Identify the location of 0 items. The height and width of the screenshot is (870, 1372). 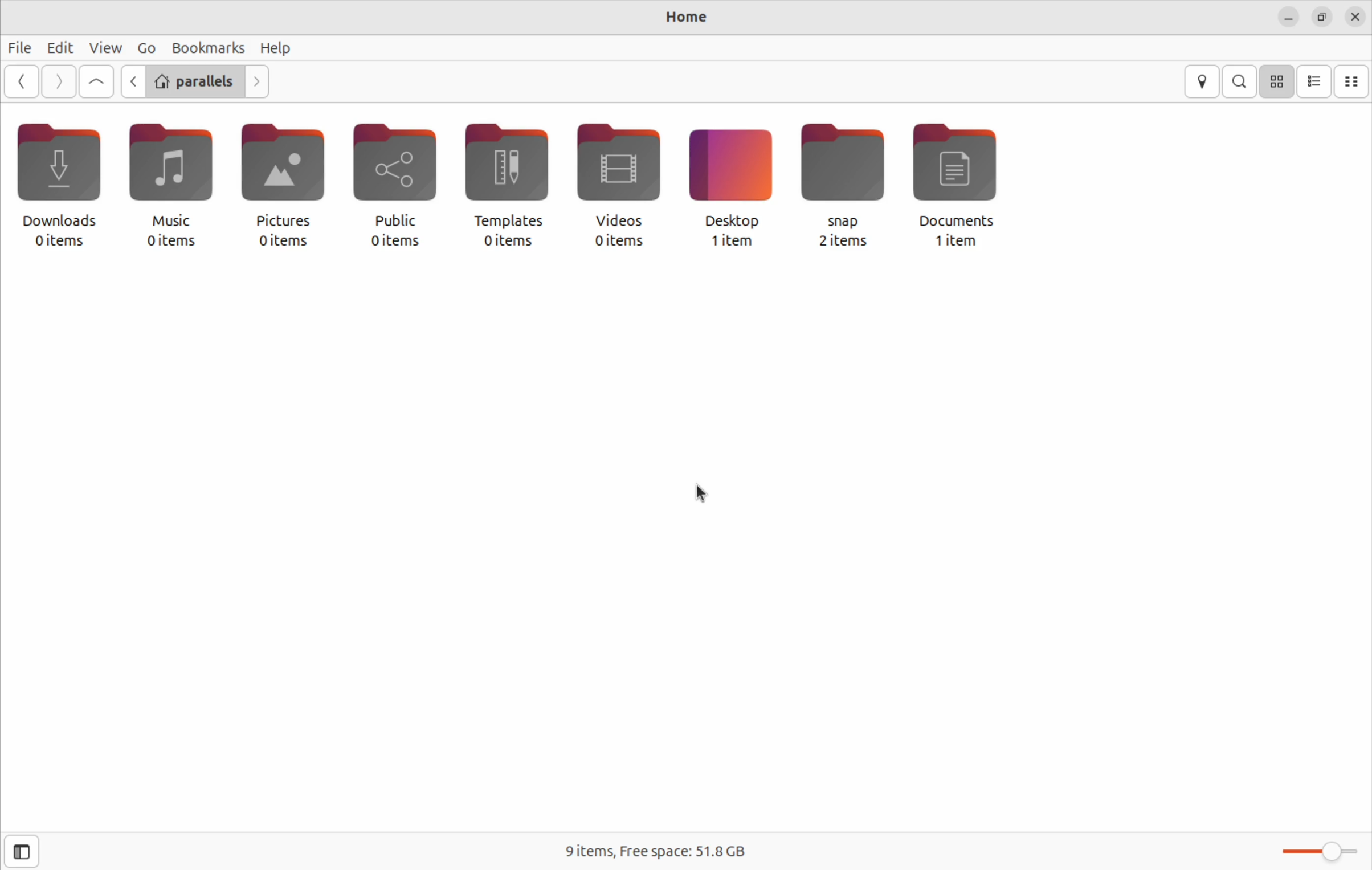
(619, 243).